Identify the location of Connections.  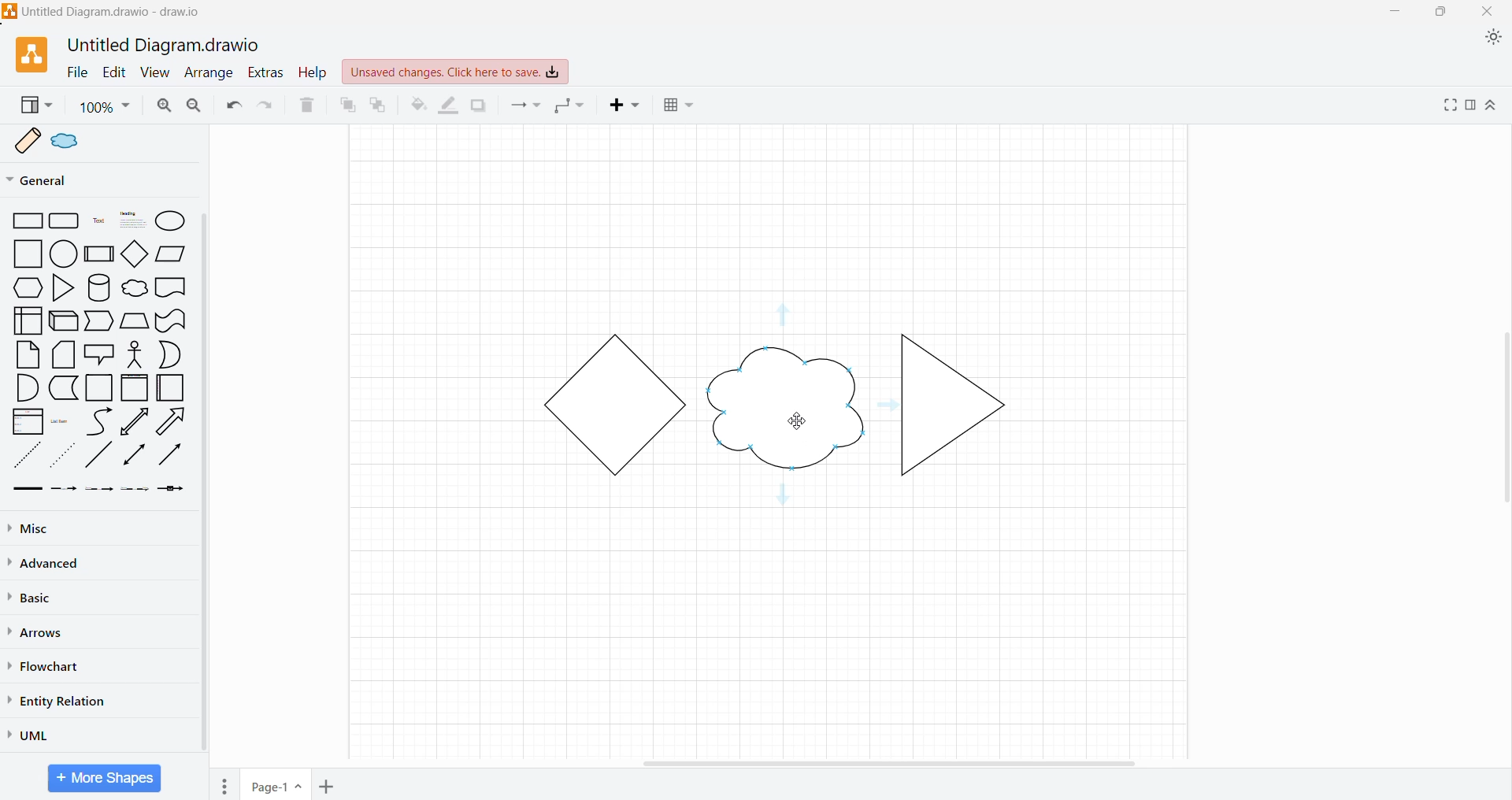
(526, 106).